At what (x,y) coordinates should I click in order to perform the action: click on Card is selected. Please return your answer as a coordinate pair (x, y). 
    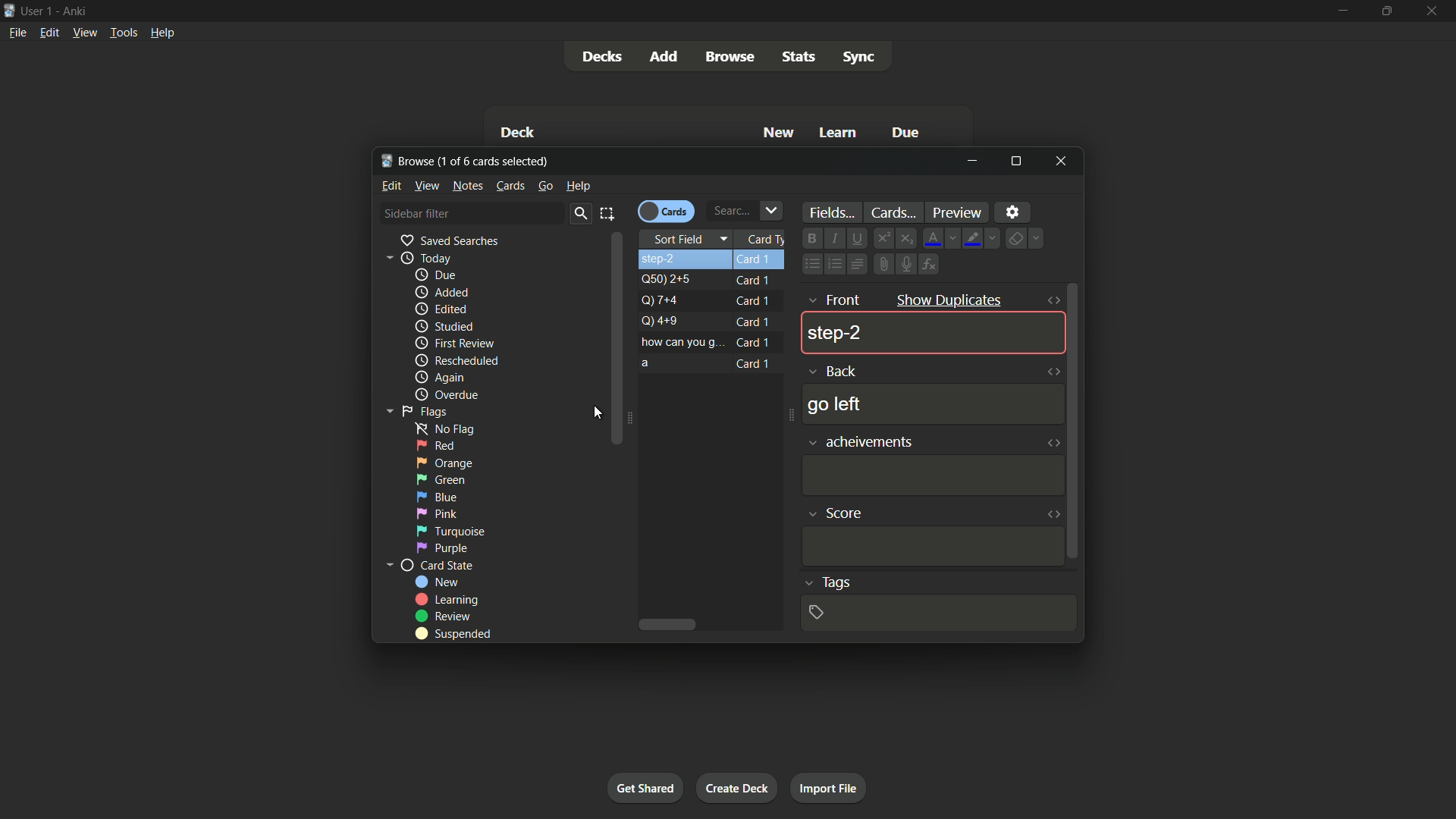
    Looking at the image, I should click on (714, 260).